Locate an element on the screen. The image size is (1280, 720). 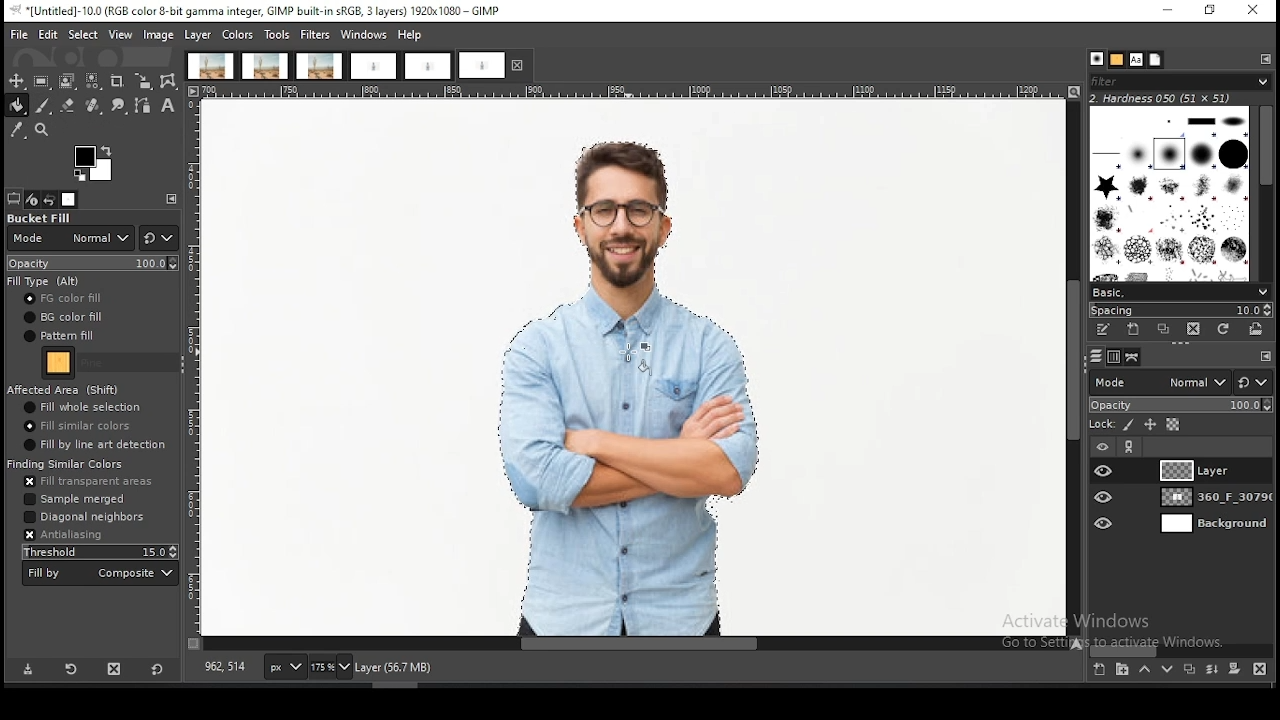
layers is located at coordinates (1096, 357).